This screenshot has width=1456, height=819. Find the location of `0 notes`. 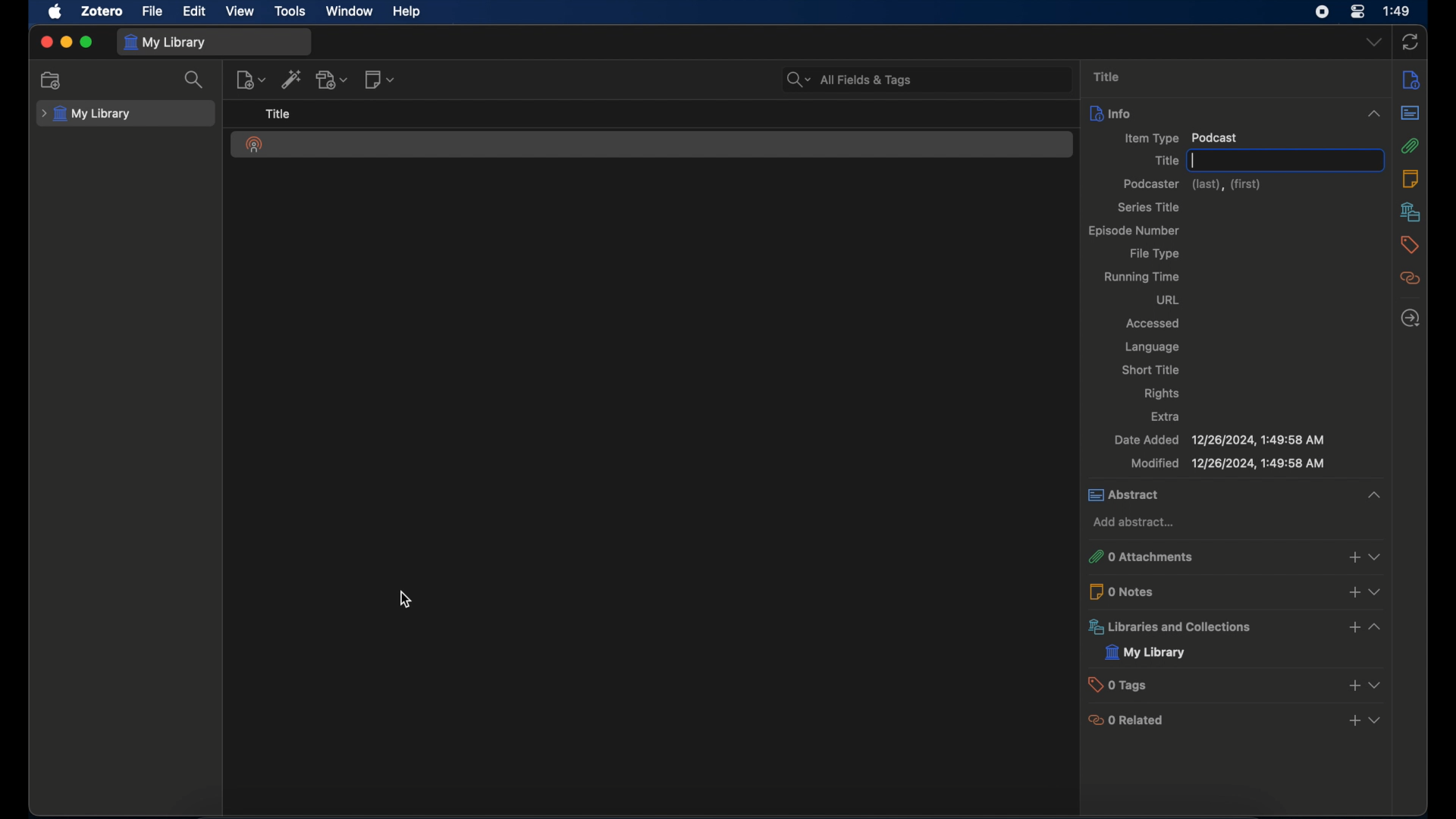

0 notes is located at coordinates (1237, 591).